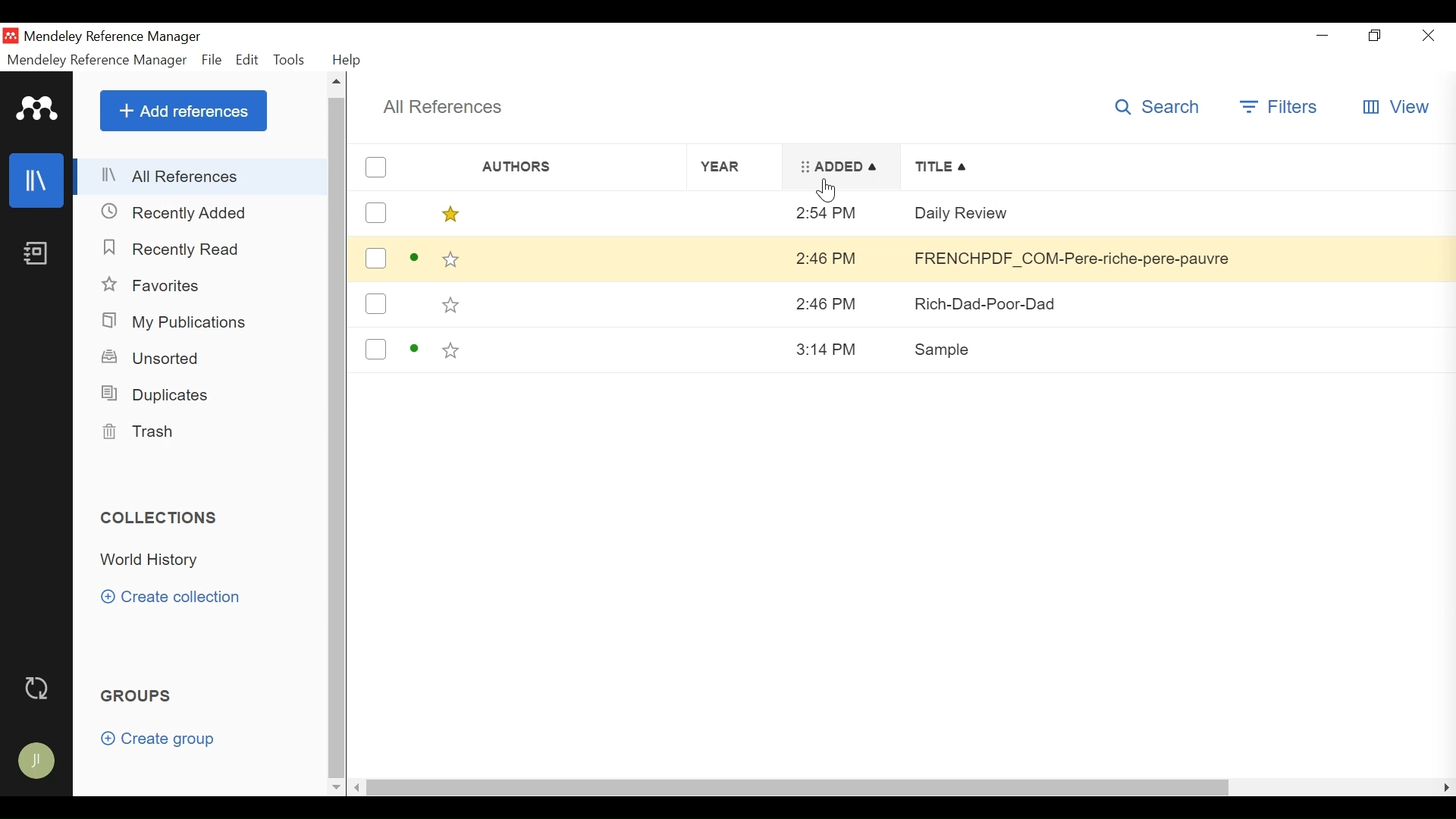 Image resolution: width=1456 pixels, height=819 pixels. What do you see at coordinates (451, 303) in the screenshot?
I see `Toggle Favorites` at bounding box center [451, 303].